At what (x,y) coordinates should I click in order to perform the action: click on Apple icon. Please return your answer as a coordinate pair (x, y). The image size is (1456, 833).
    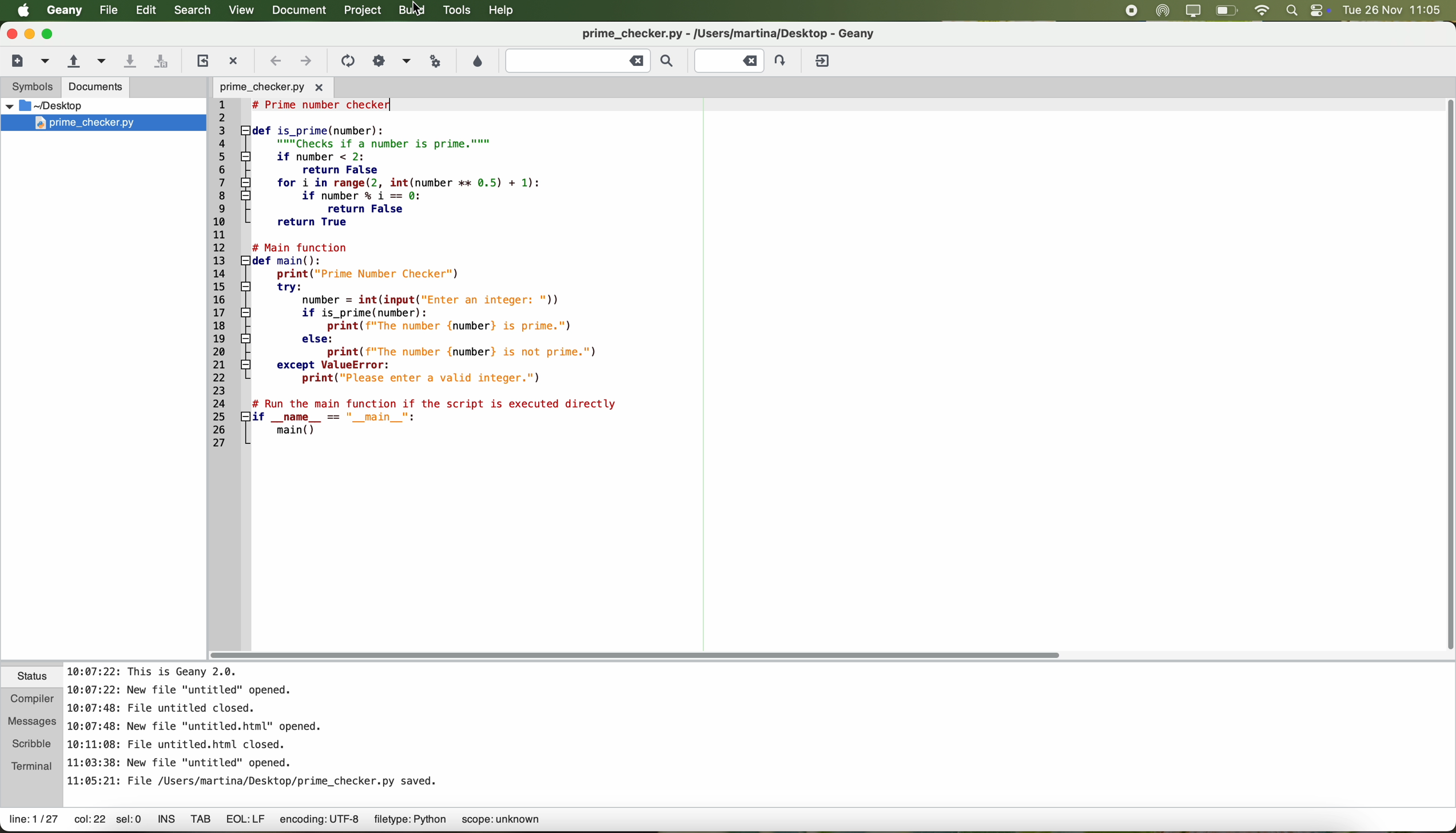
    Looking at the image, I should click on (18, 10).